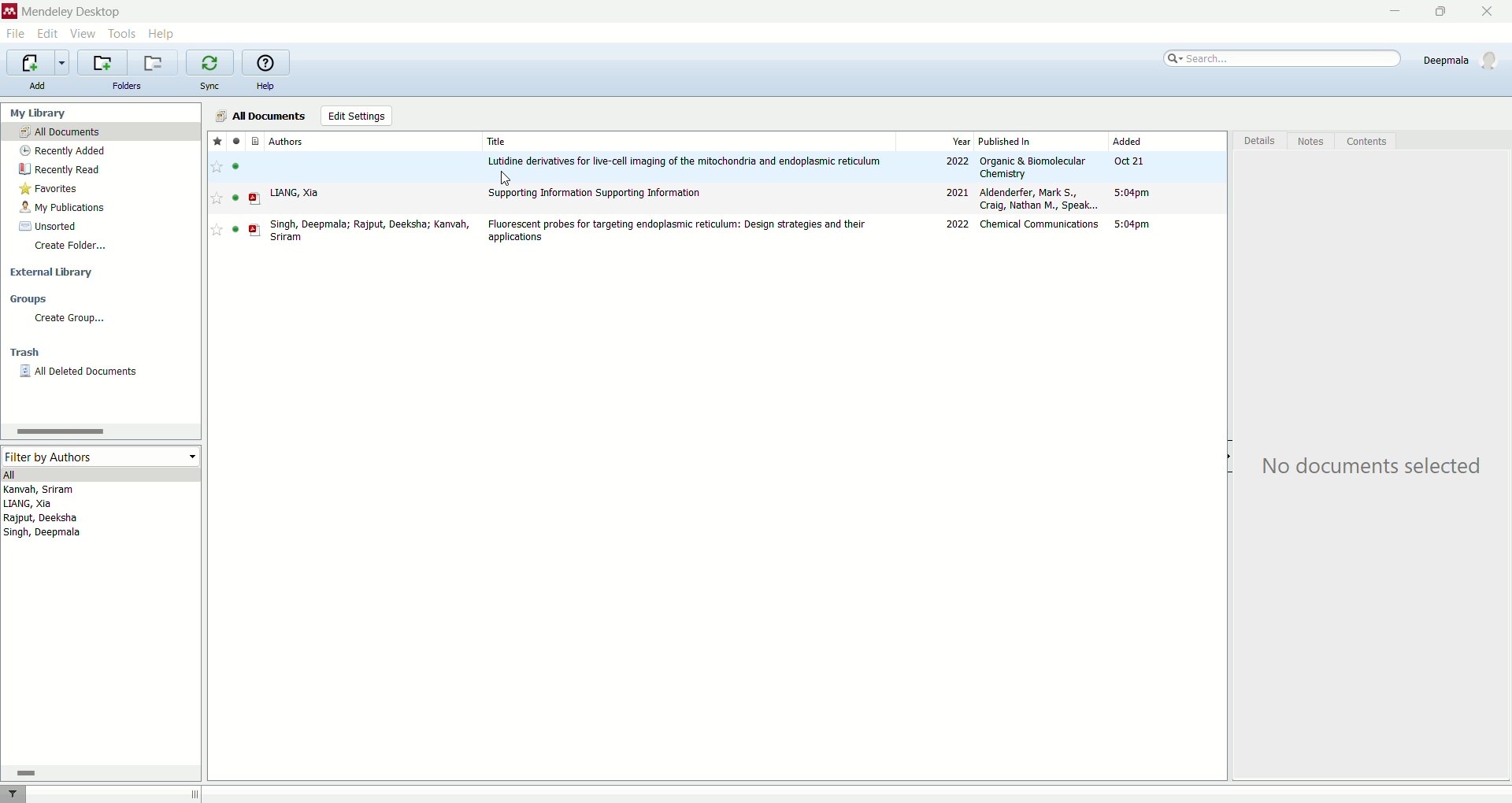 This screenshot has width=1512, height=803. I want to click on filter, so click(13, 794).